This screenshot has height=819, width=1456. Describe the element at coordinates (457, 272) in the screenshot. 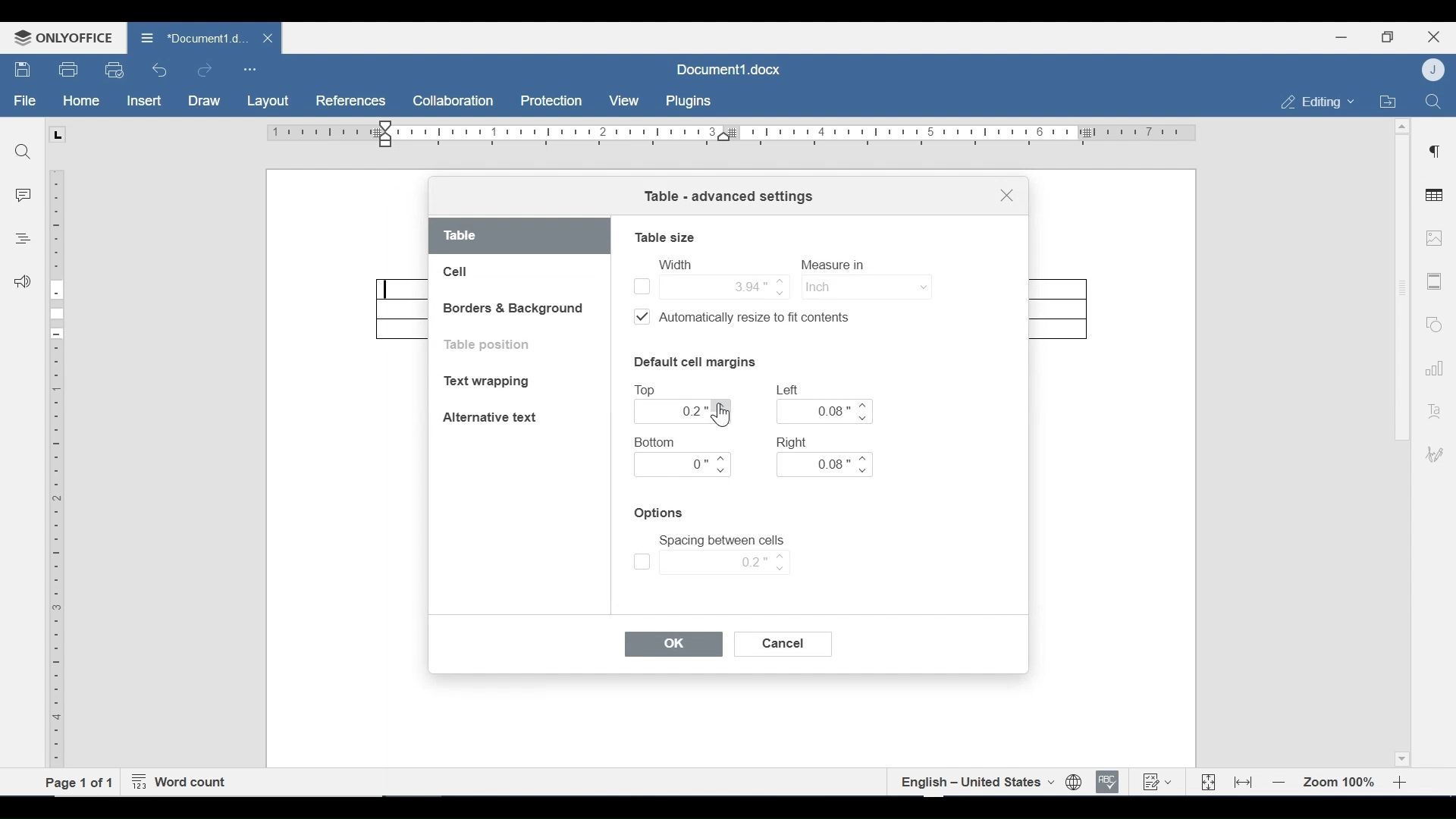

I see `Cell` at that location.